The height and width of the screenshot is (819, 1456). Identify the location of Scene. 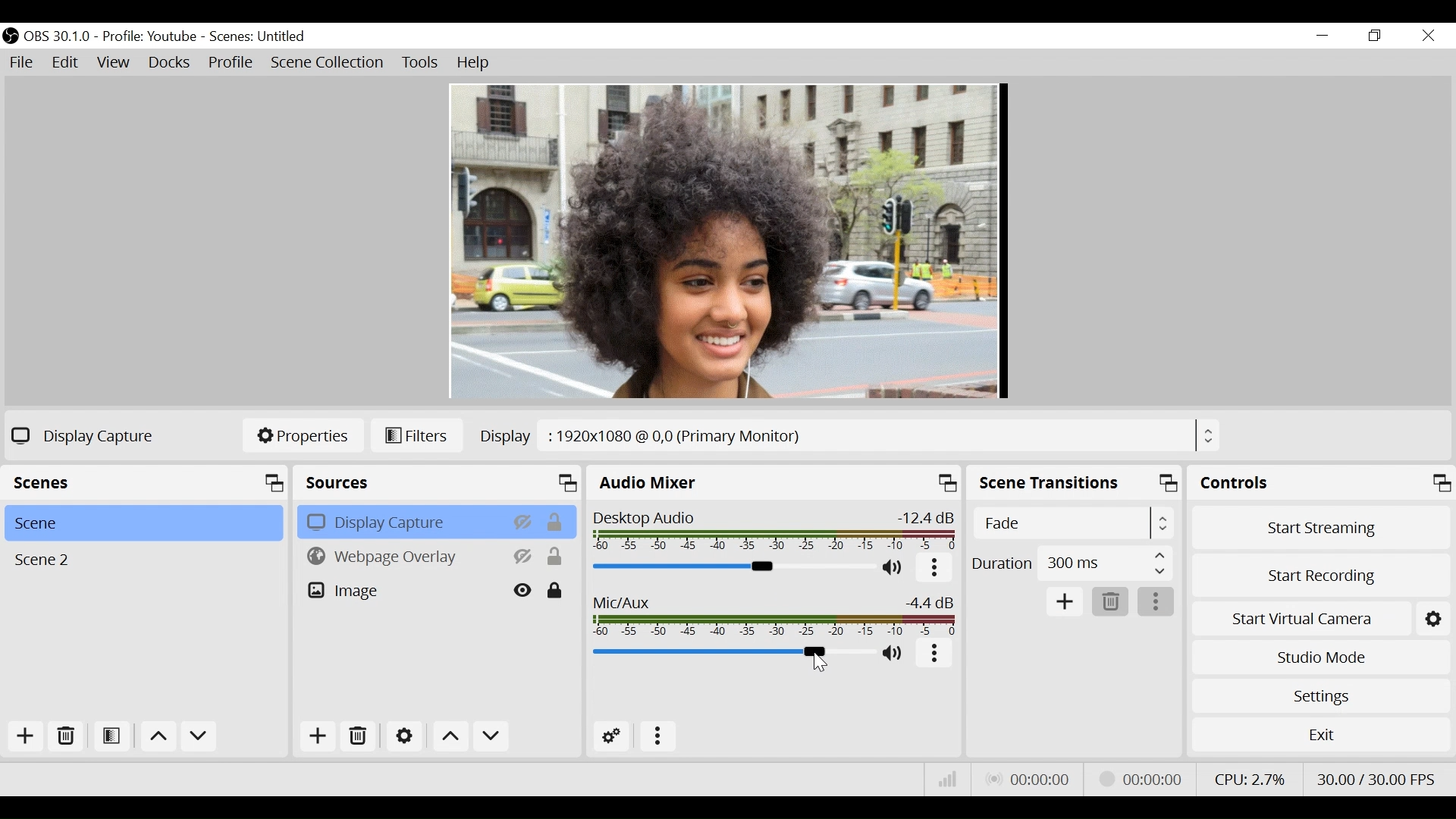
(140, 523).